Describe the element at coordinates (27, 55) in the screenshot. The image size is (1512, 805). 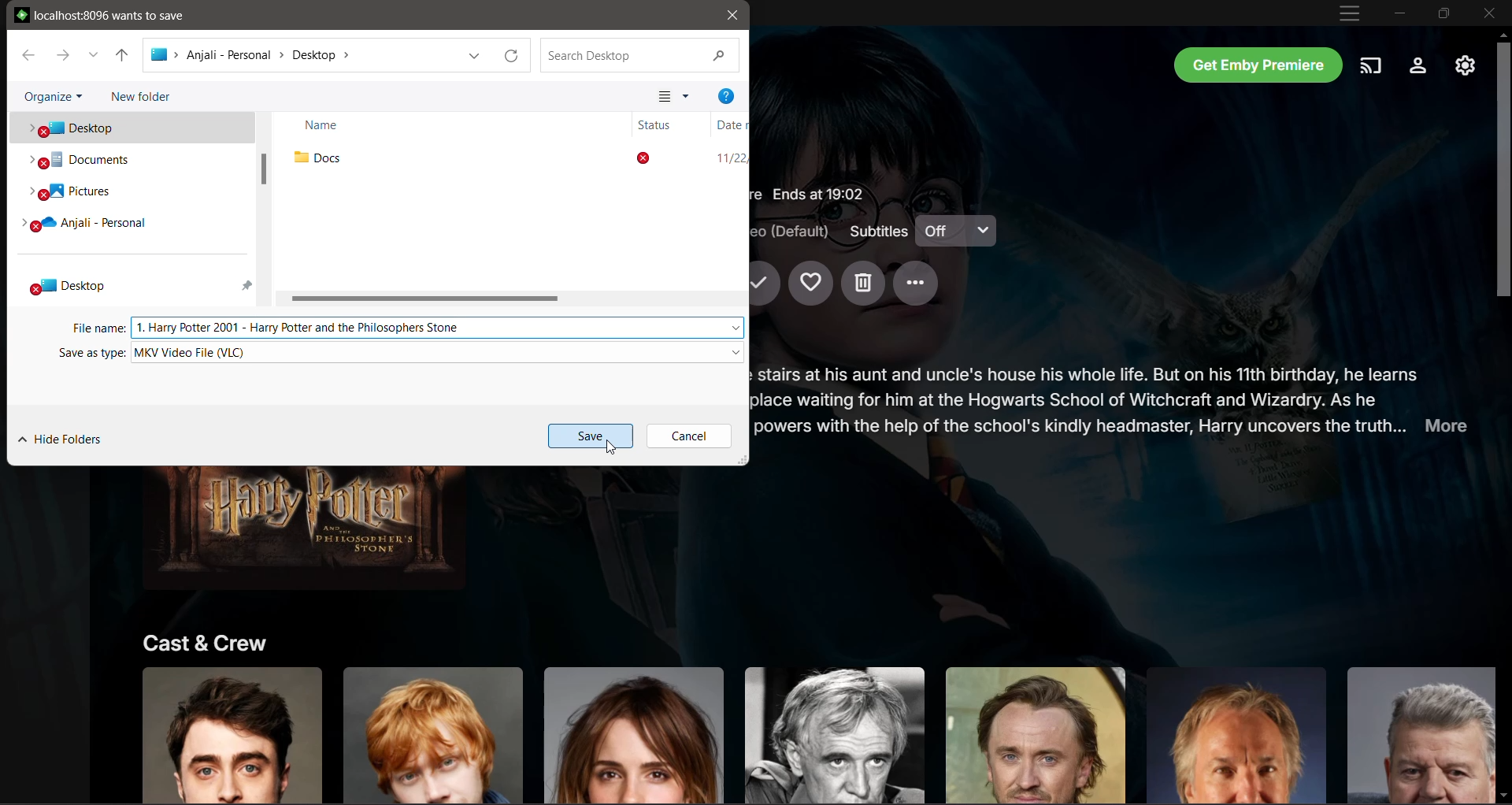
I see `Back` at that location.